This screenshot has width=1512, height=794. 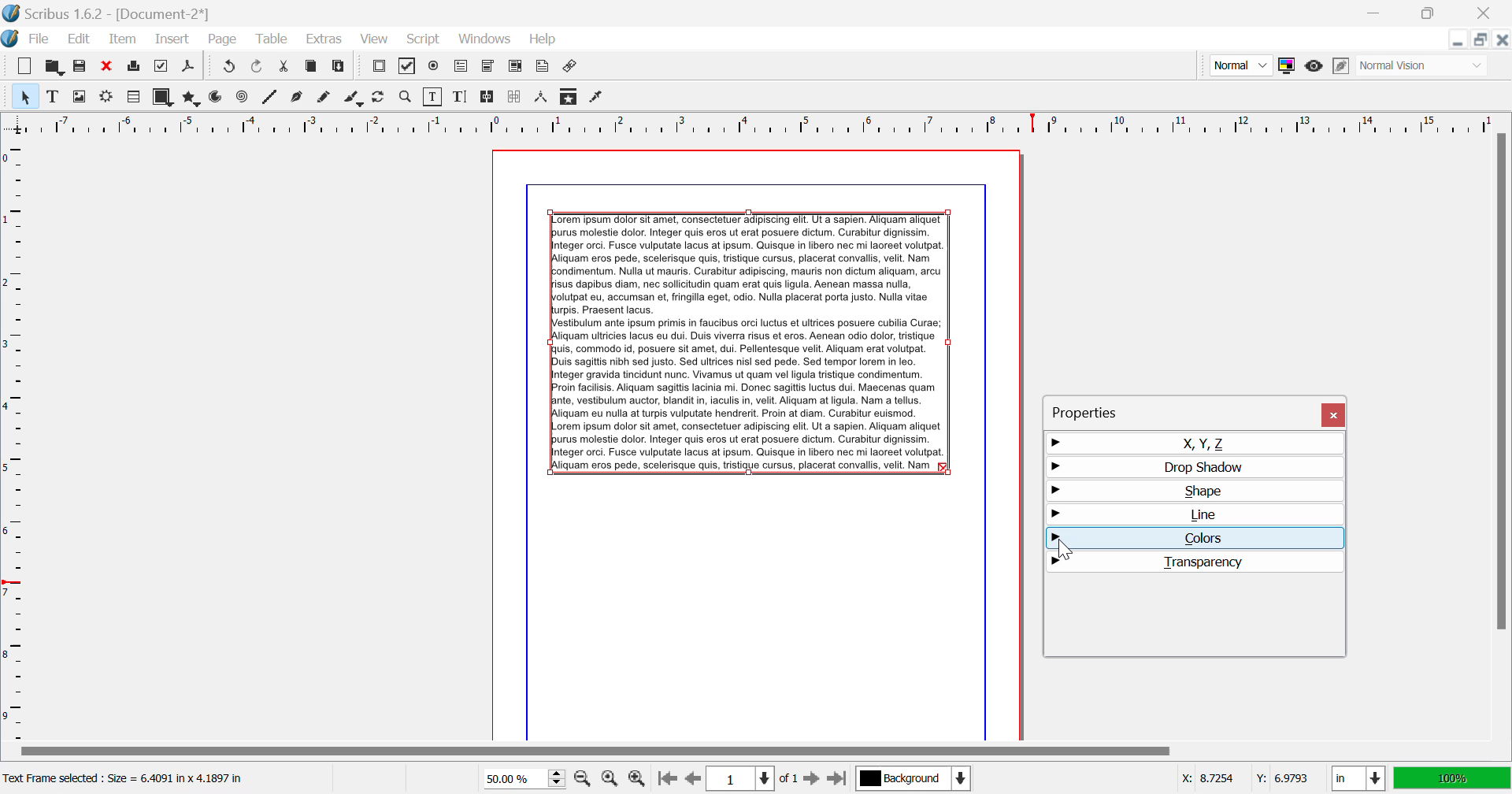 I want to click on Open, so click(x=54, y=65).